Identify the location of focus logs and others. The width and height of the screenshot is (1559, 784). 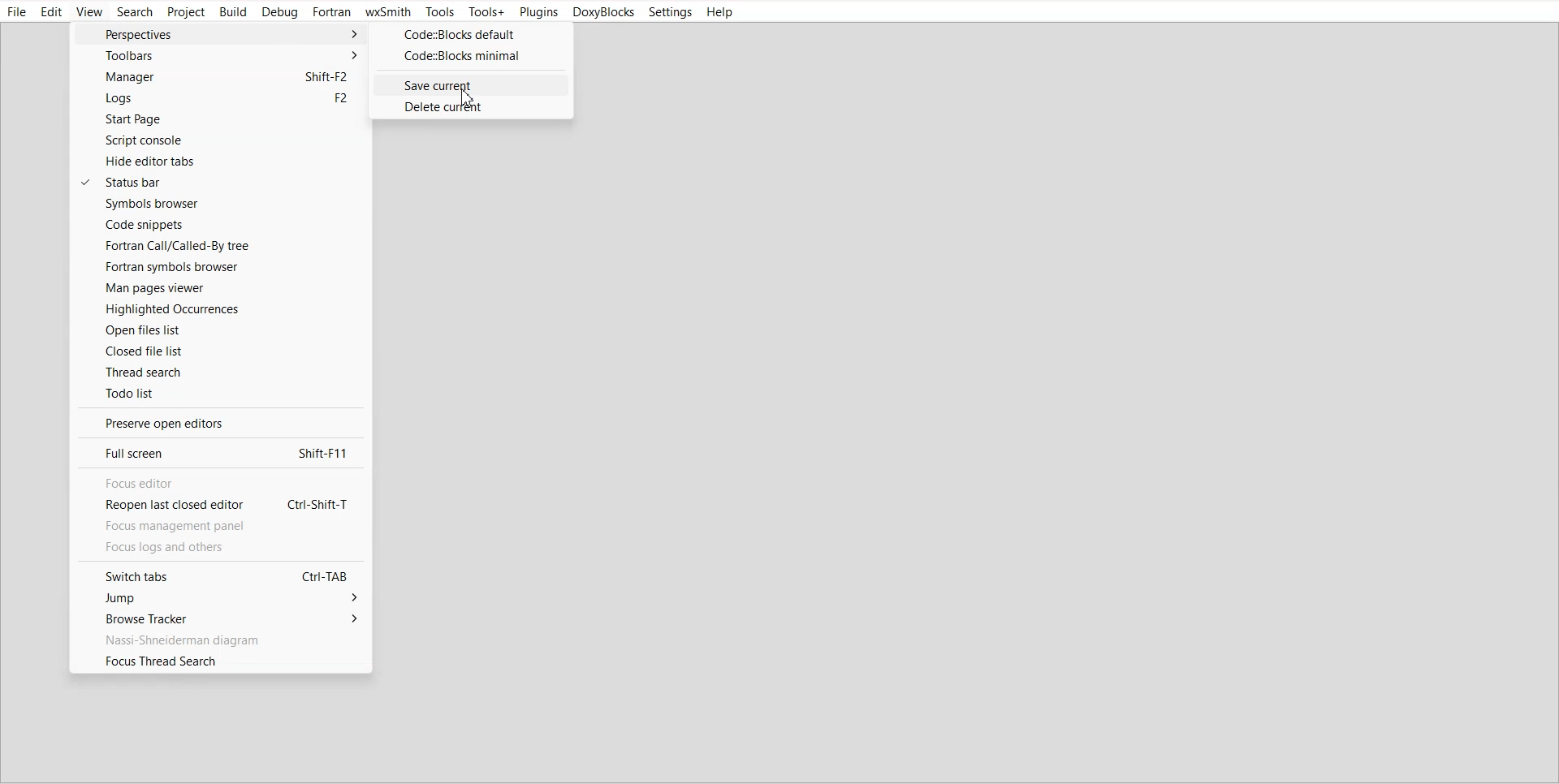
(182, 548).